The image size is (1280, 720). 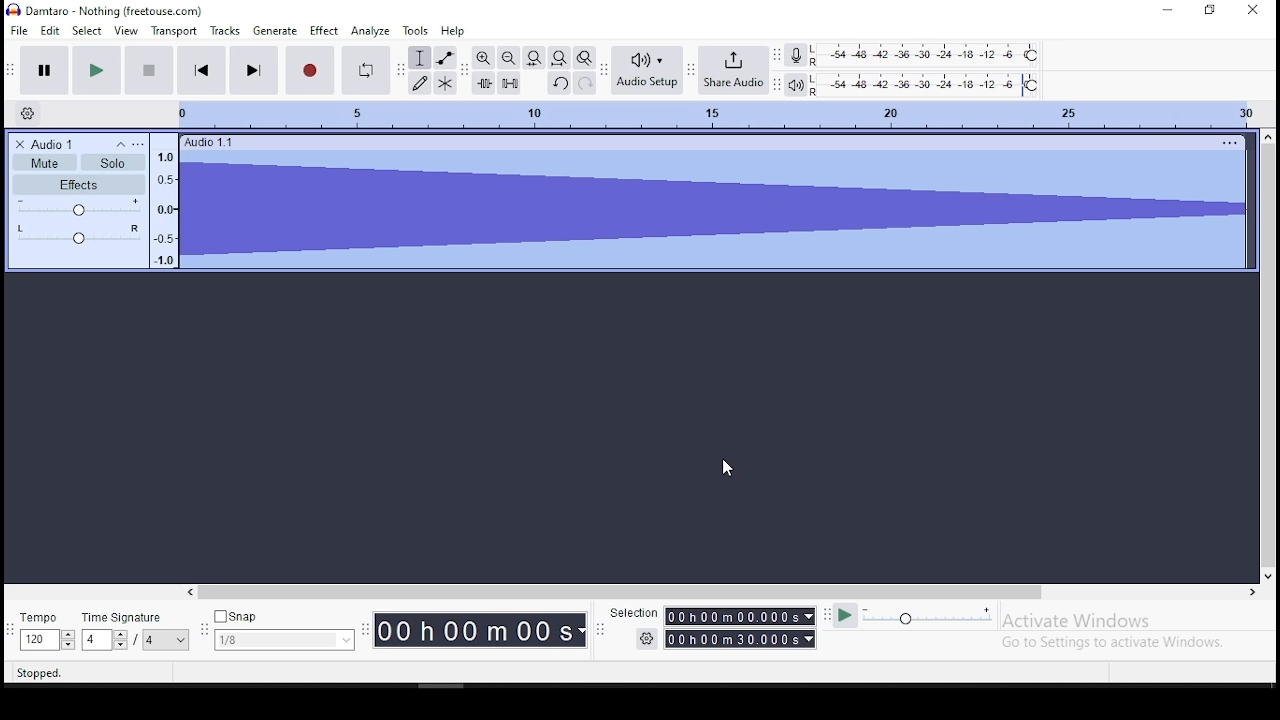 What do you see at coordinates (585, 82) in the screenshot?
I see `redo` at bounding box center [585, 82].